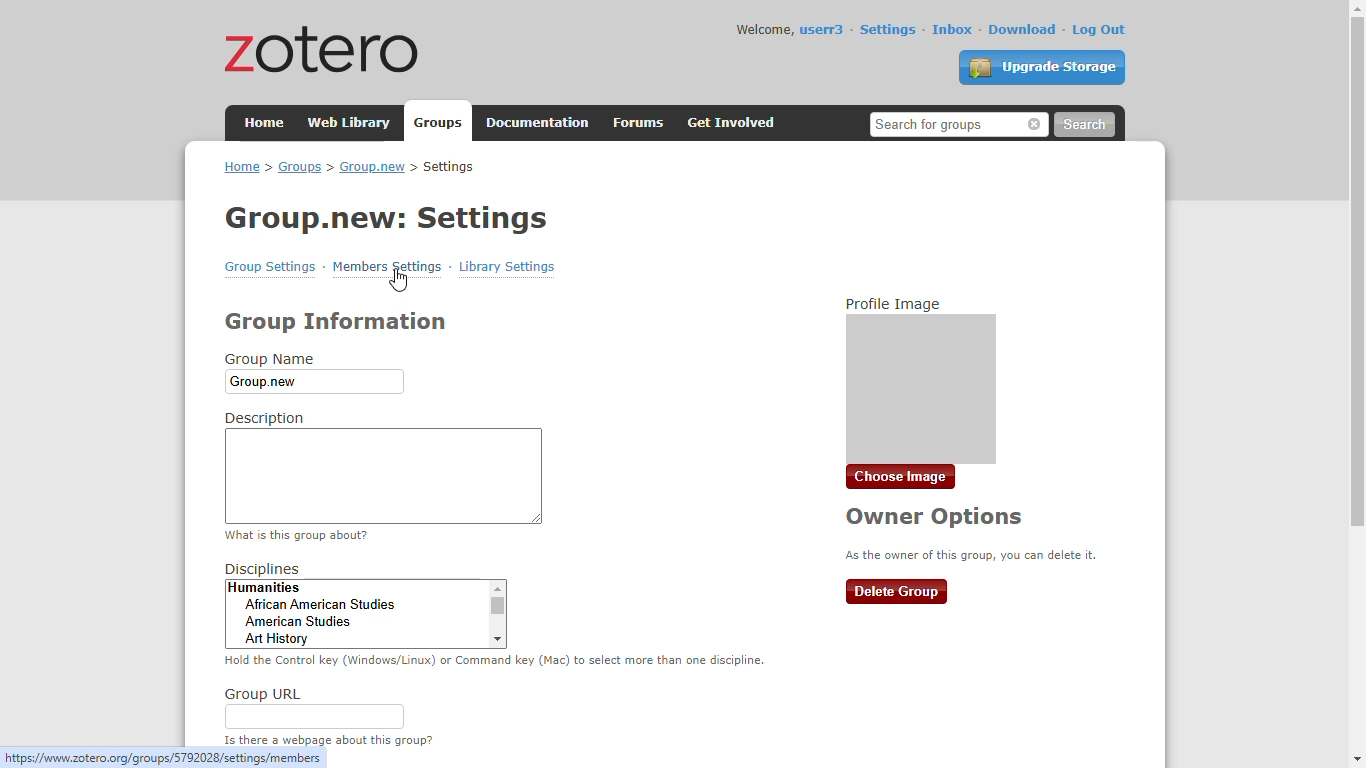  What do you see at coordinates (1356, 270) in the screenshot?
I see `vertical scroll bar` at bounding box center [1356, 270].